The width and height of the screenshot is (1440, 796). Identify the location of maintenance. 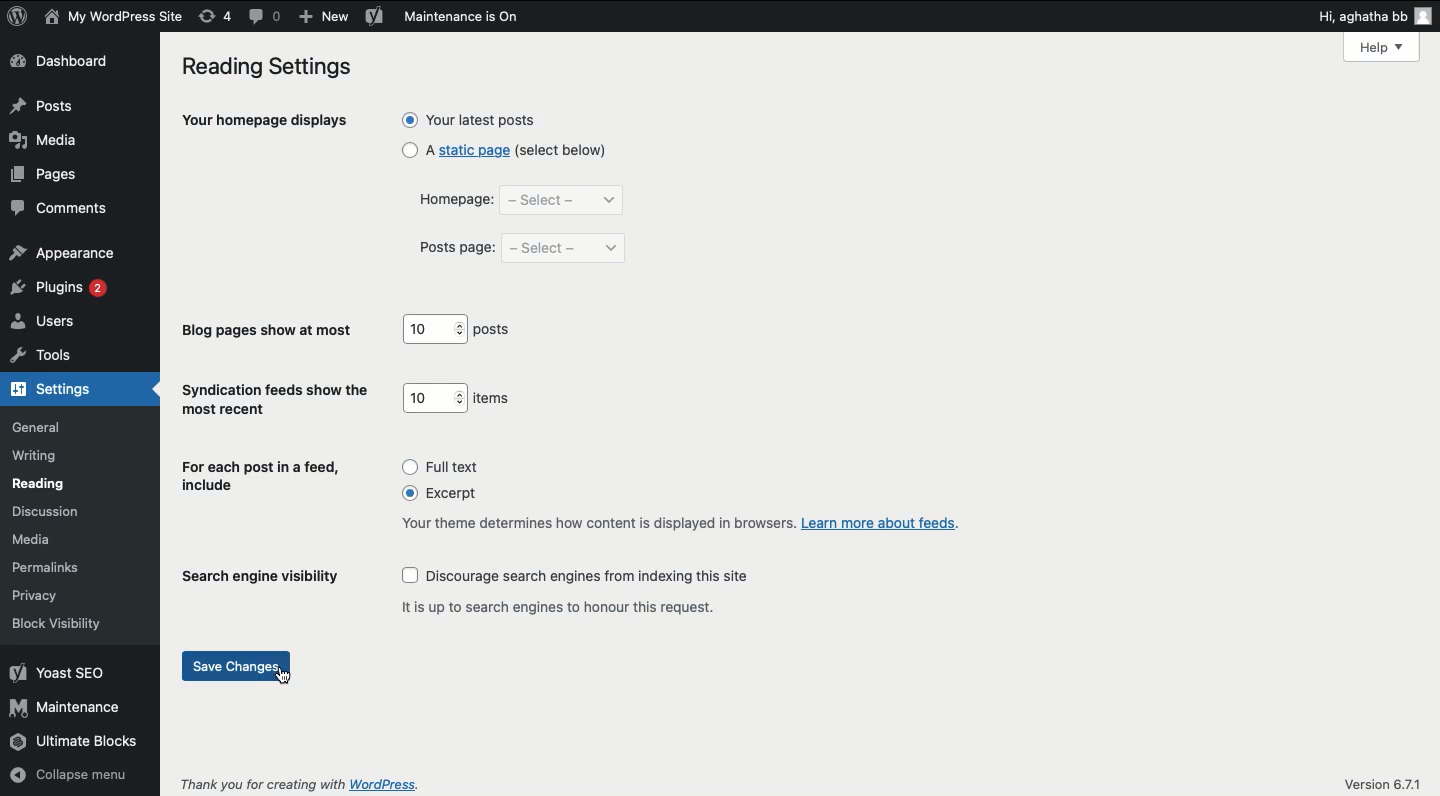
(64, 707).